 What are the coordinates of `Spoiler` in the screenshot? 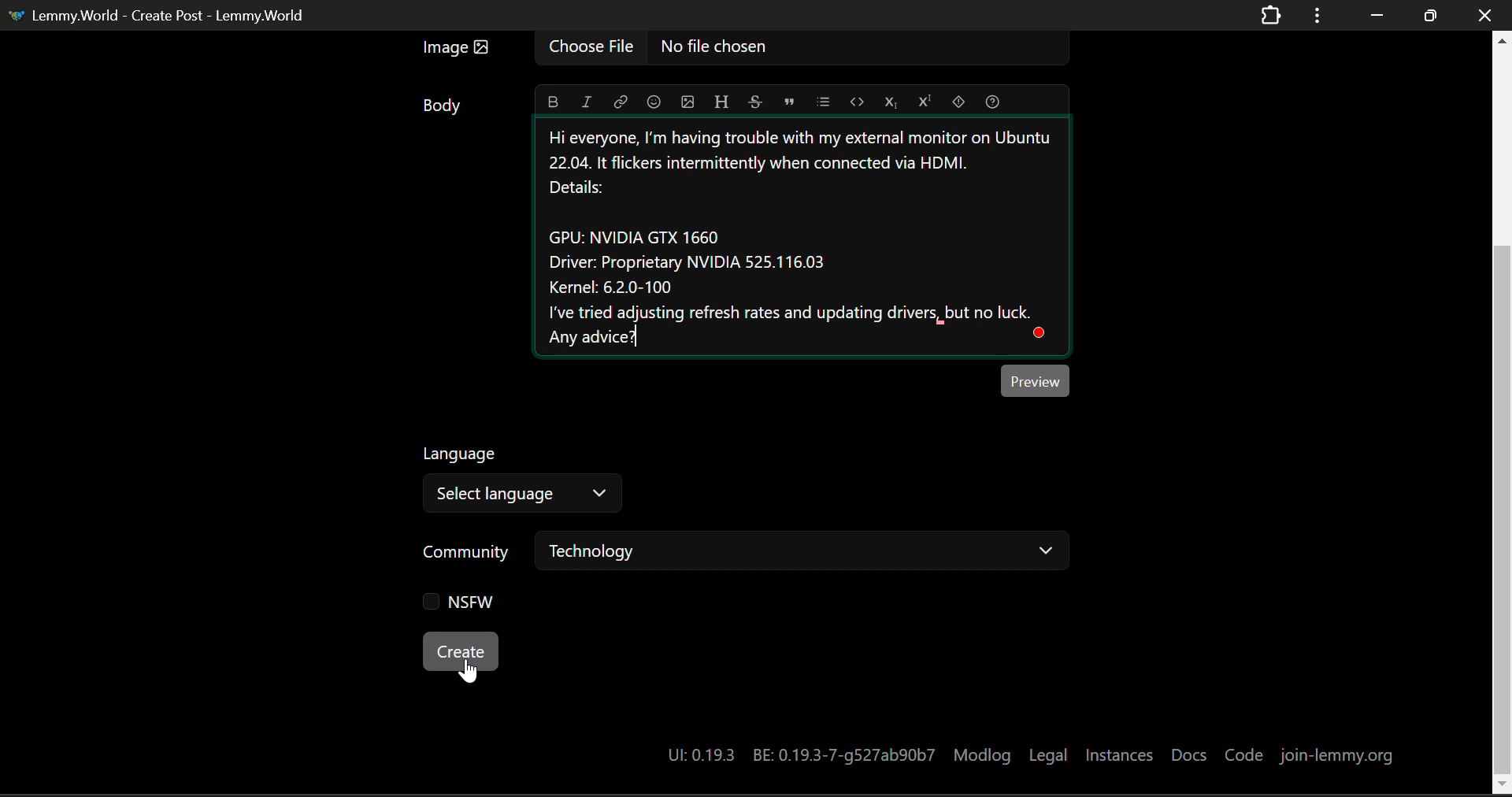 It's located at (958, 99).